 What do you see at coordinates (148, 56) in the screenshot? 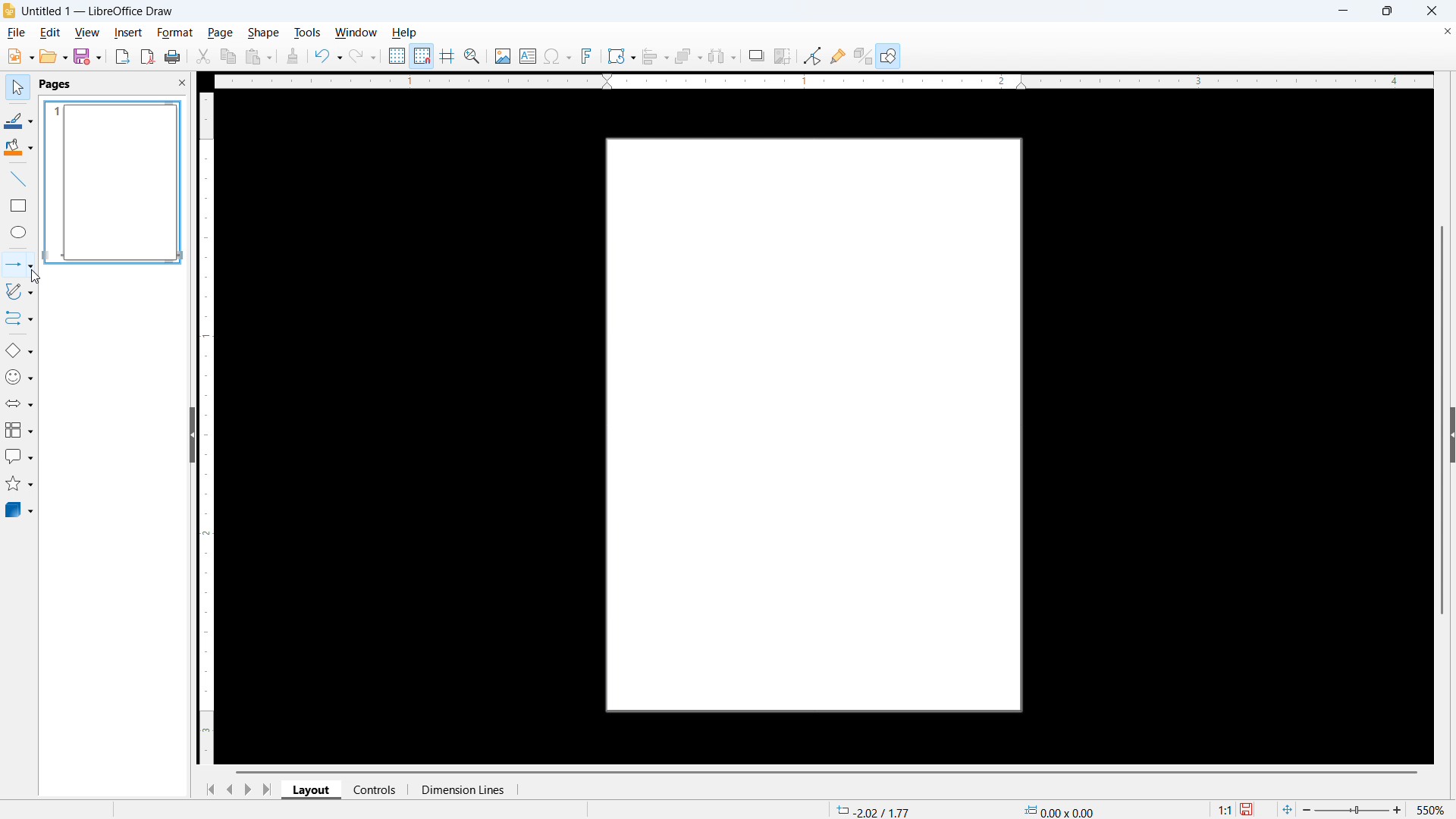
I see `Export as P D F ` at bounding box center [148, 56].